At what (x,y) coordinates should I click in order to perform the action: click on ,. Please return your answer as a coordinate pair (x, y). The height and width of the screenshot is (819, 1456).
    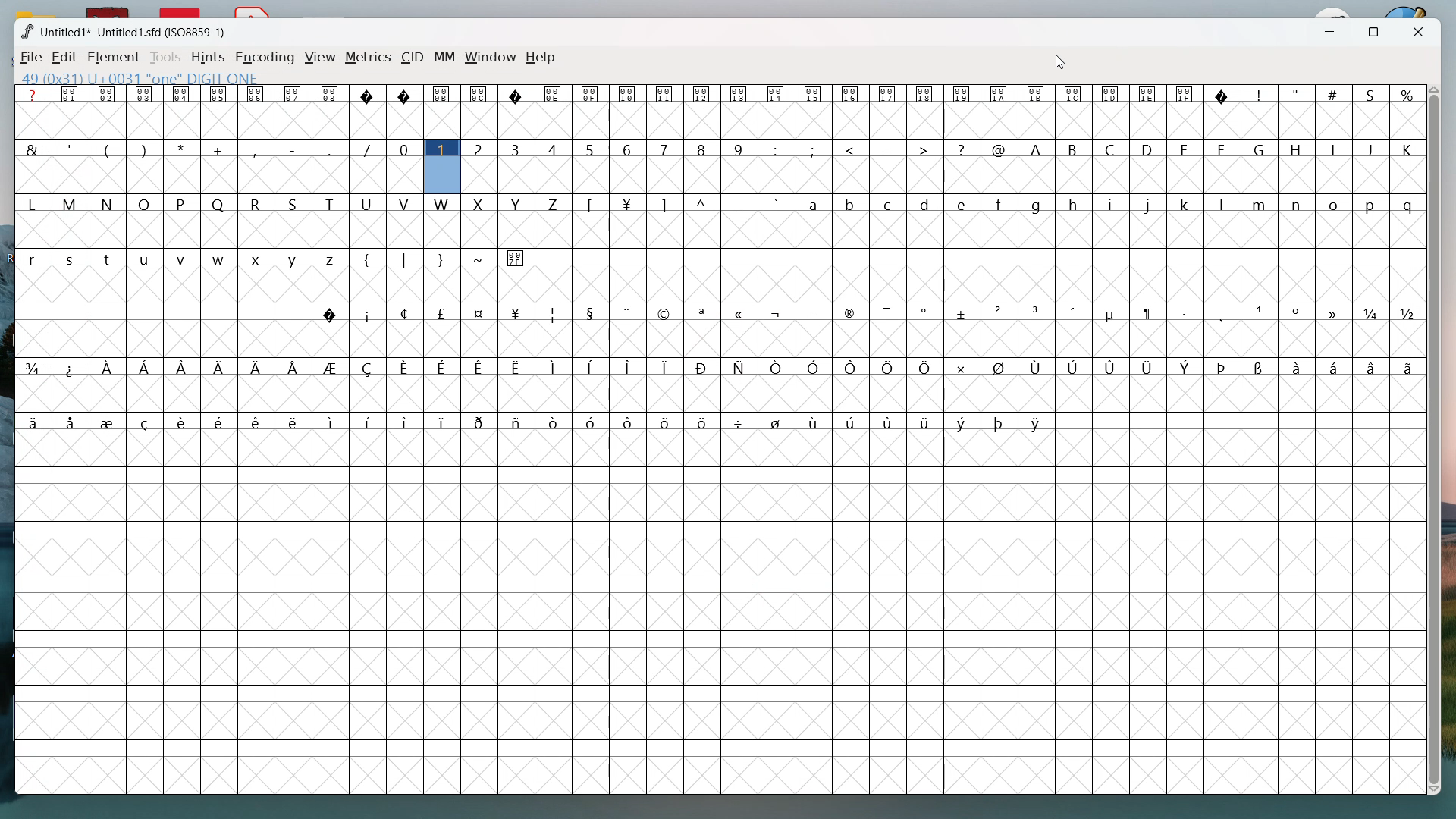
    Looking at the image, I should click on (258, 149).